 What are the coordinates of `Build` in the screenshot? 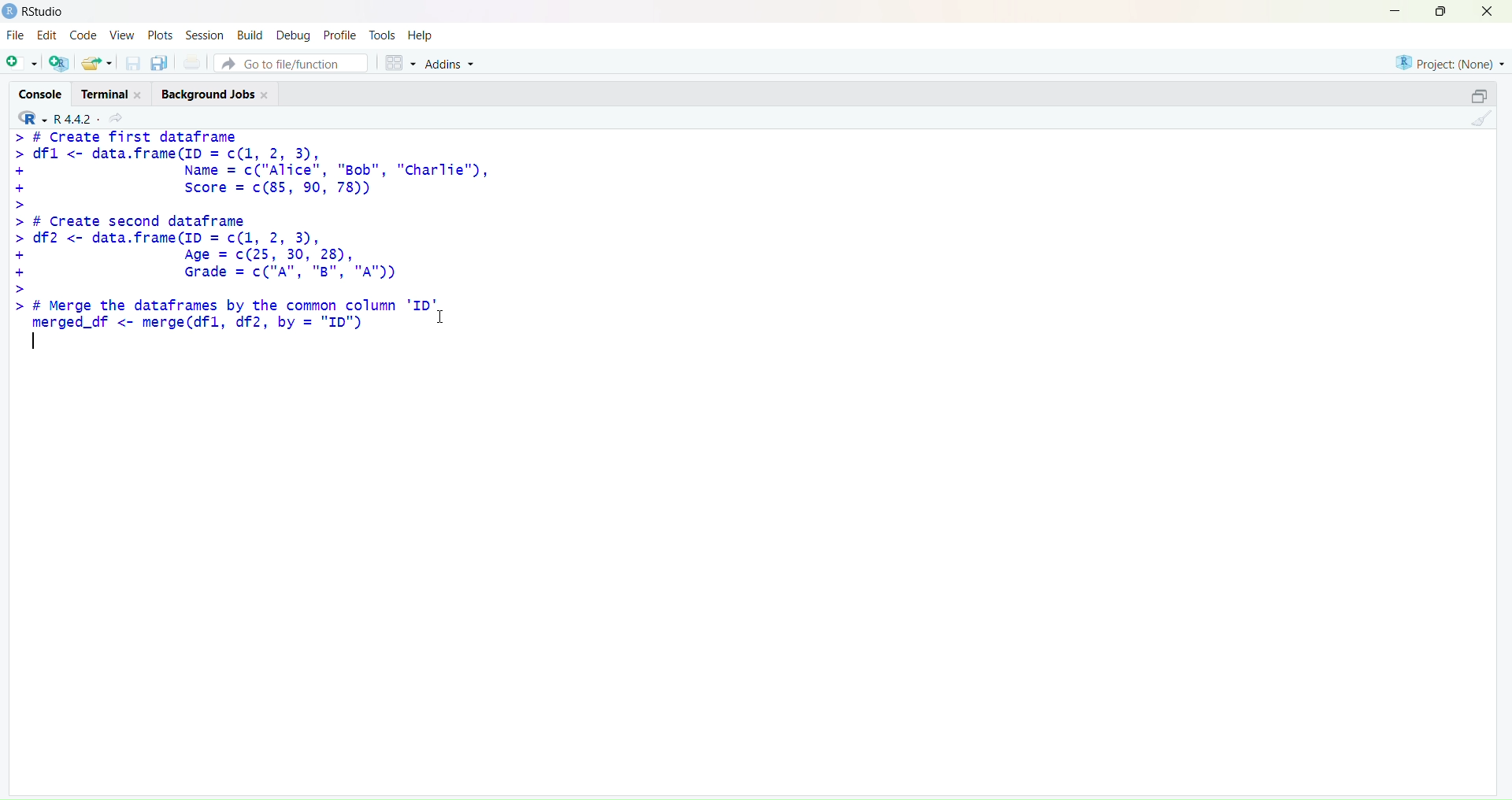 It's located at (251, 35).